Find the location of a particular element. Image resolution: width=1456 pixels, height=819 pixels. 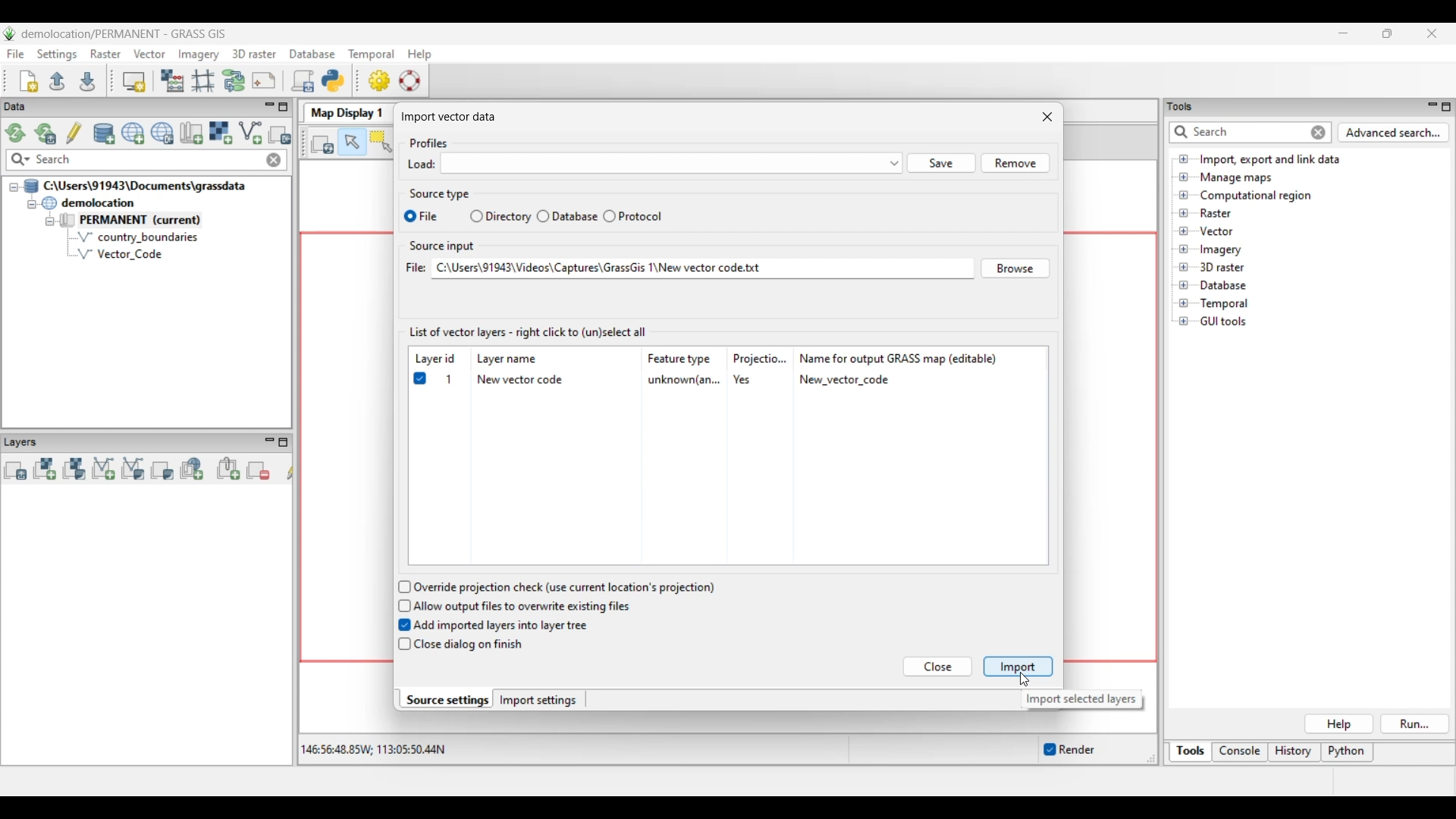

Protocol is located at coordinates (639, 216).